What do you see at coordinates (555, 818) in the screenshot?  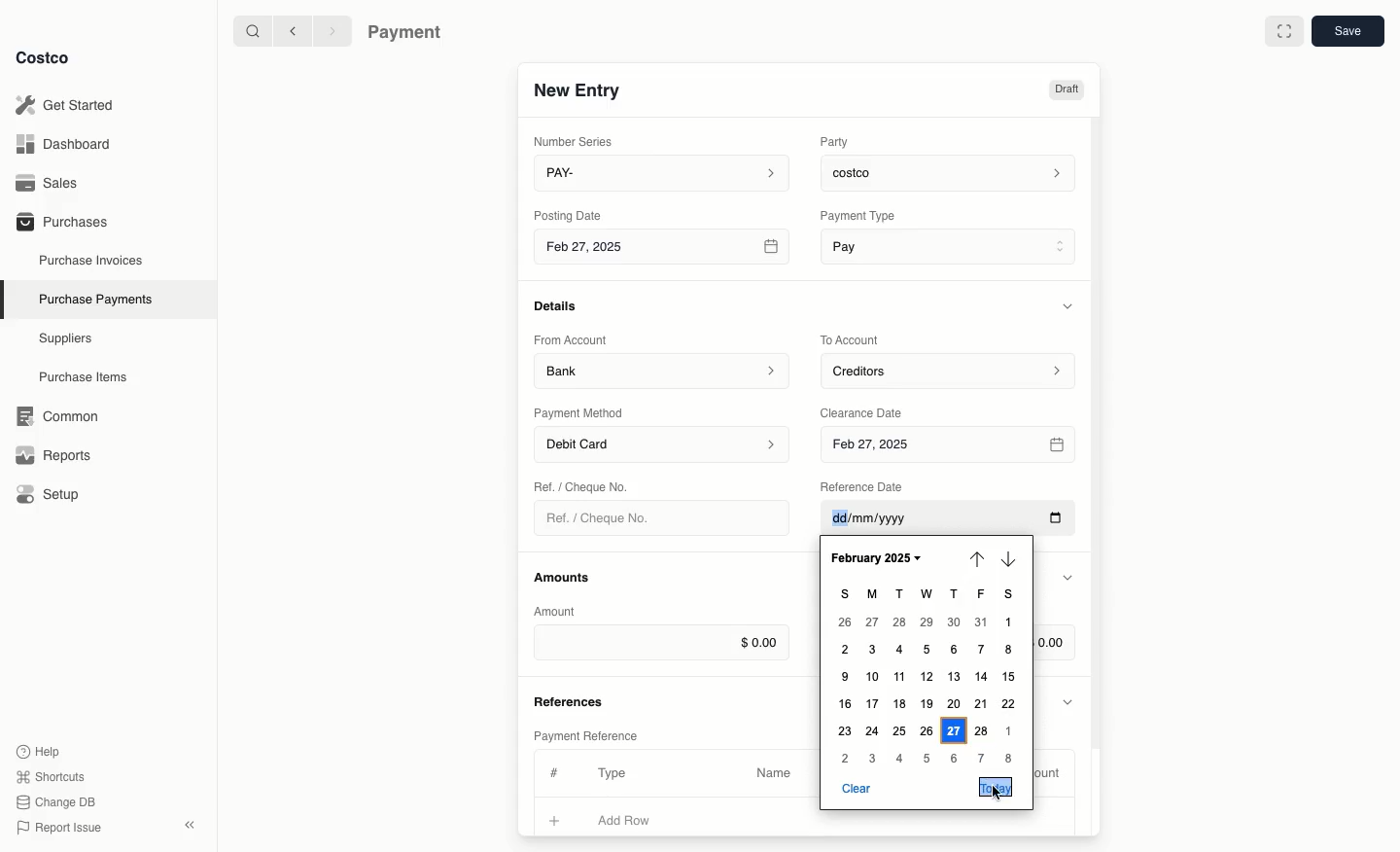 I see `Add` at bounding box center [555, 818].